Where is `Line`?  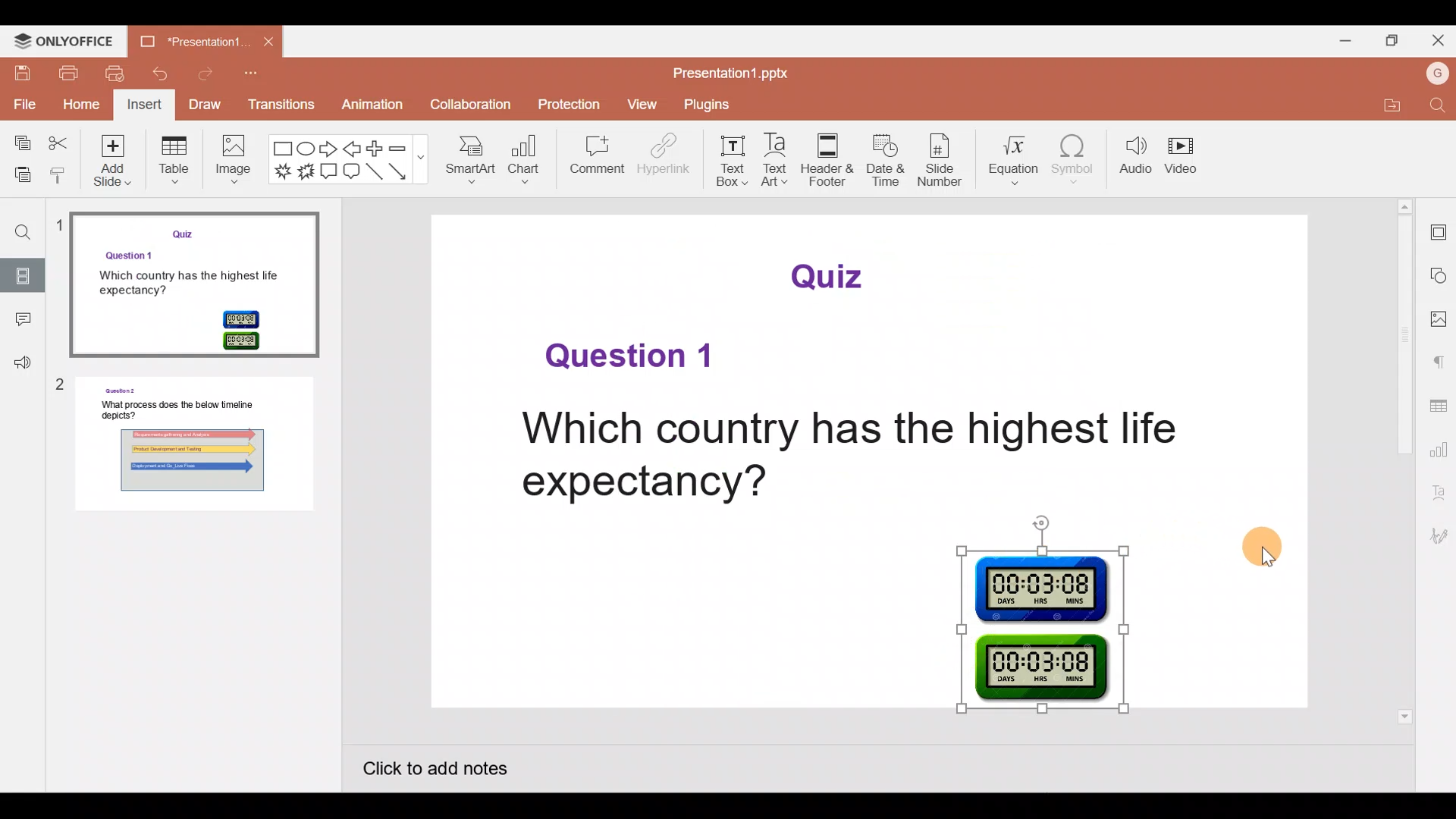 Line is located at coordinates (374, 172).